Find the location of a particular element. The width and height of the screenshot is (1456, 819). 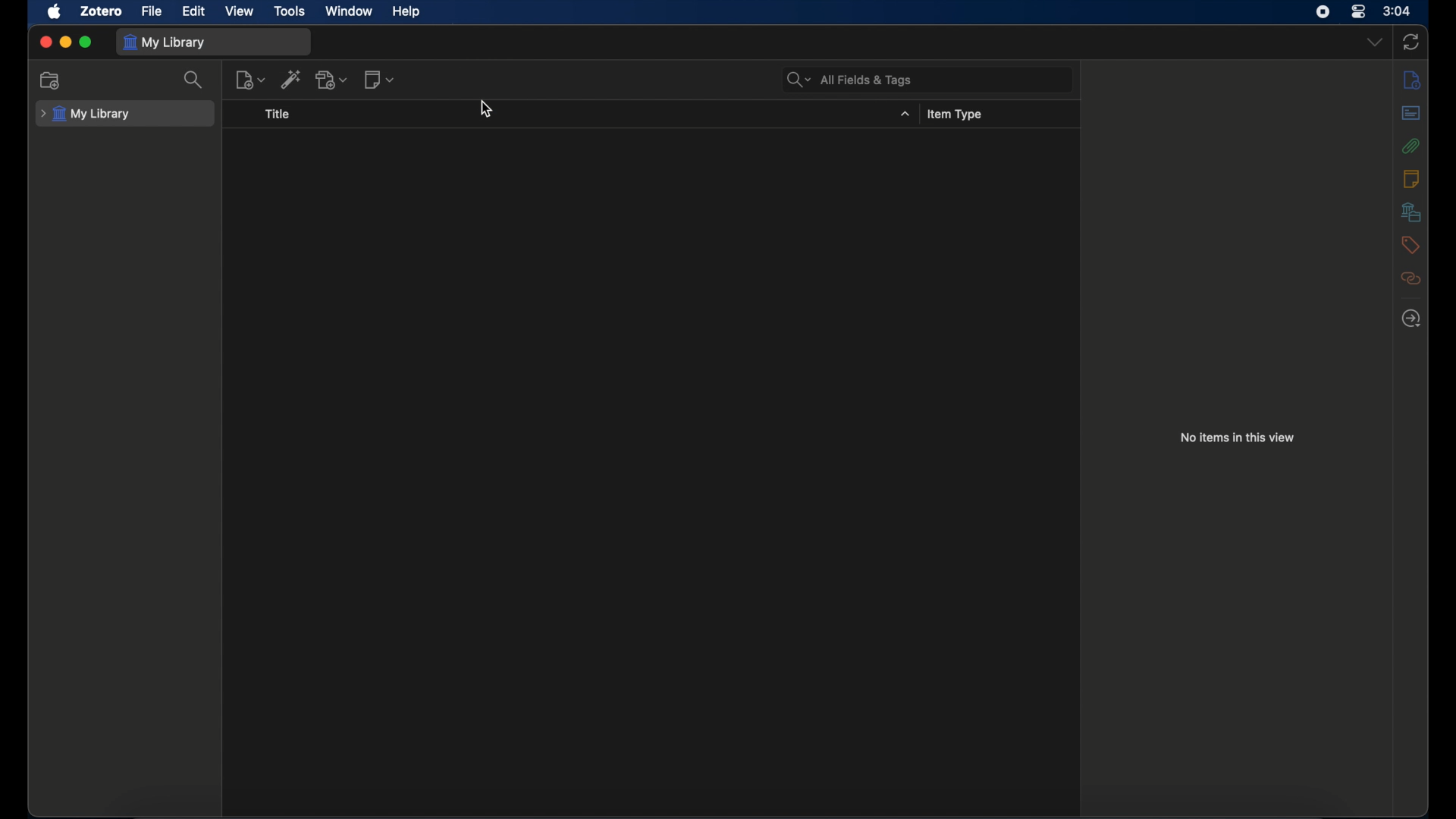

notes is located at coordinates (1411, 178).